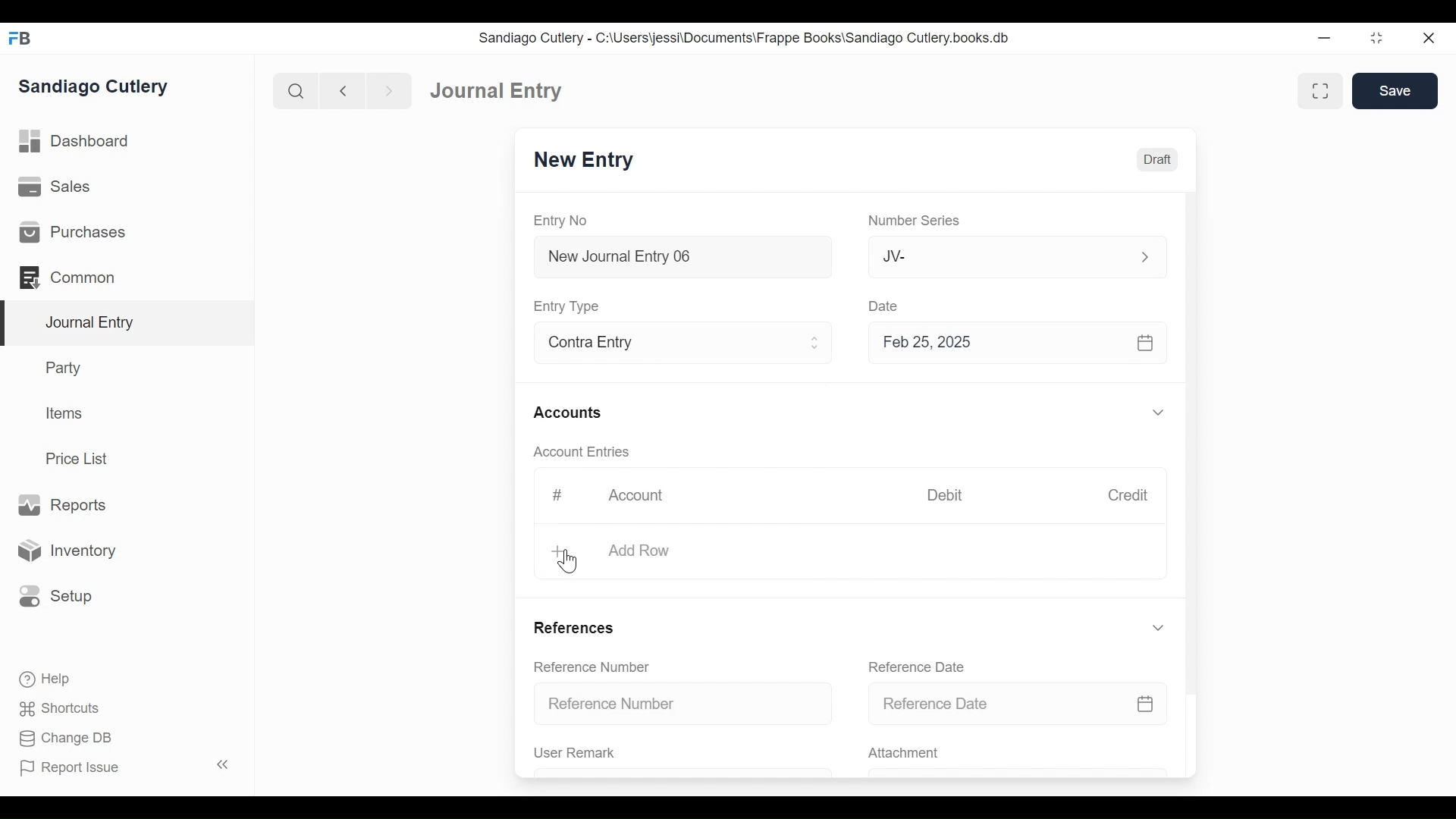  What do you see at coordinates (575, 752) in the screenshot?
I see `User Remark` at bounding box center [575, 752].